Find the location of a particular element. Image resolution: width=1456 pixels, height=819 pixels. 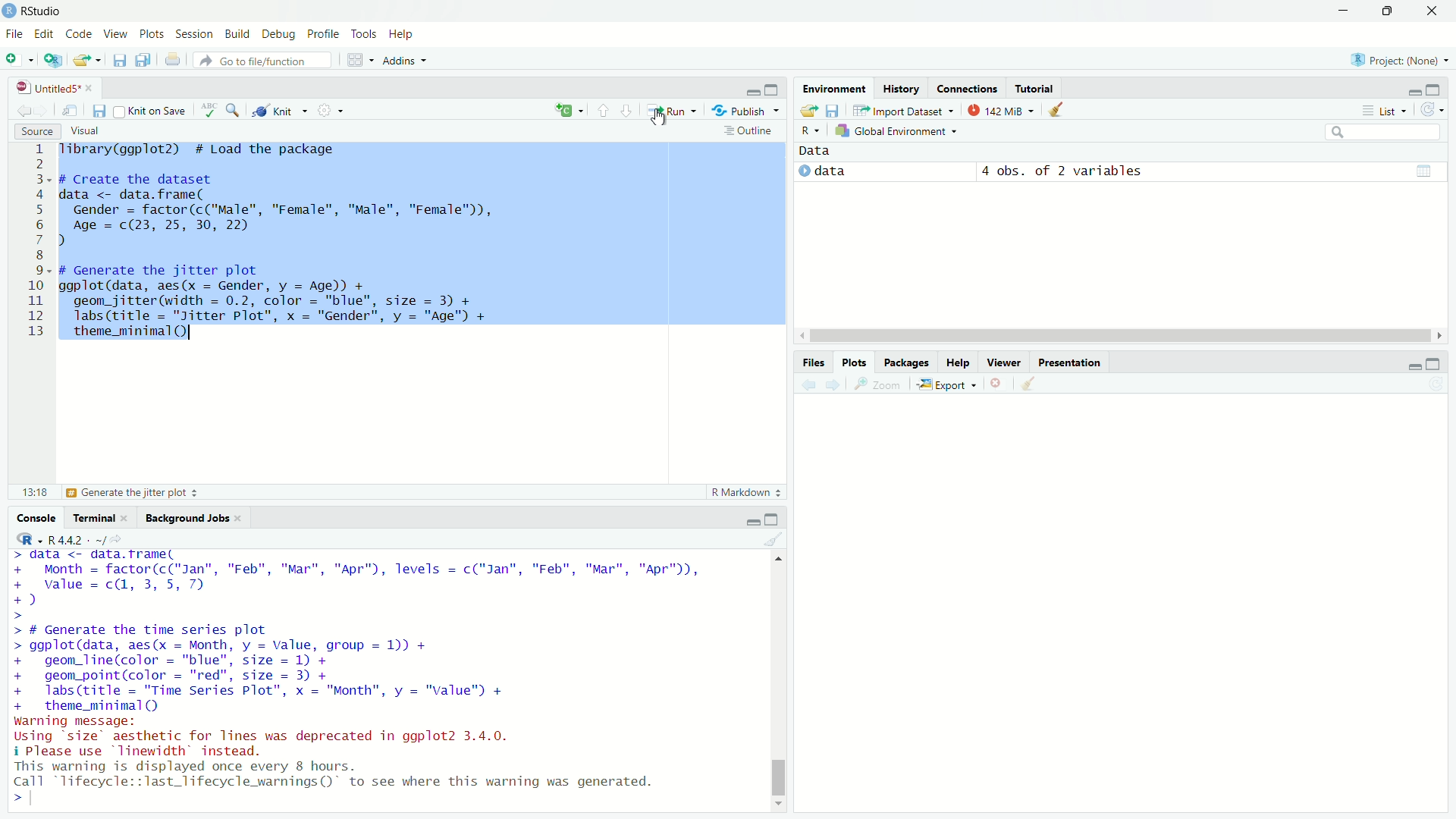

warning displayed is located at coordinates (340, 774).